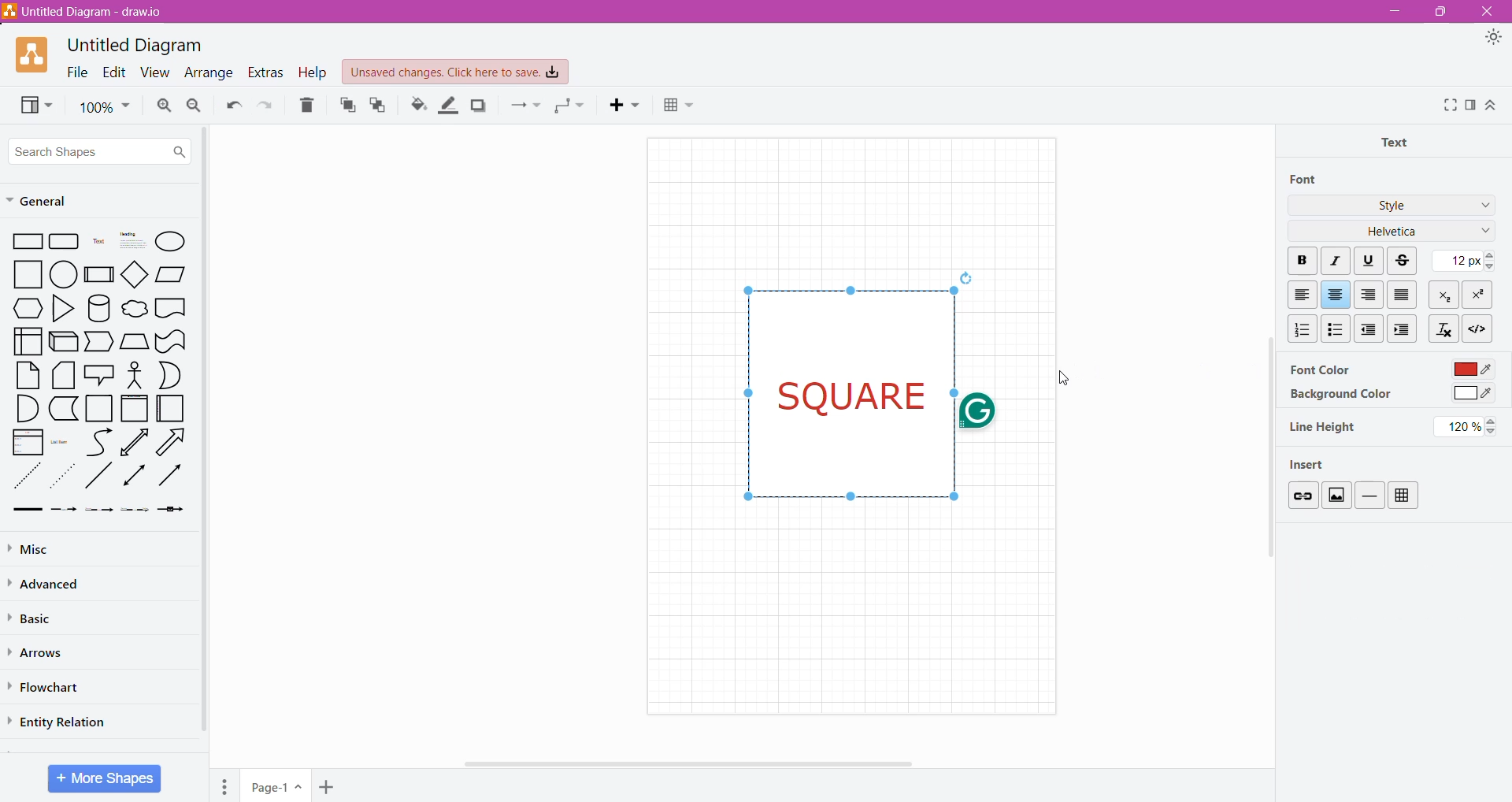 The width and height of the screenshot is (1512, 802). What do you see at coordinates (115, 71) in the screenshot?
I see `Edit` at bounding box center [115, 71].